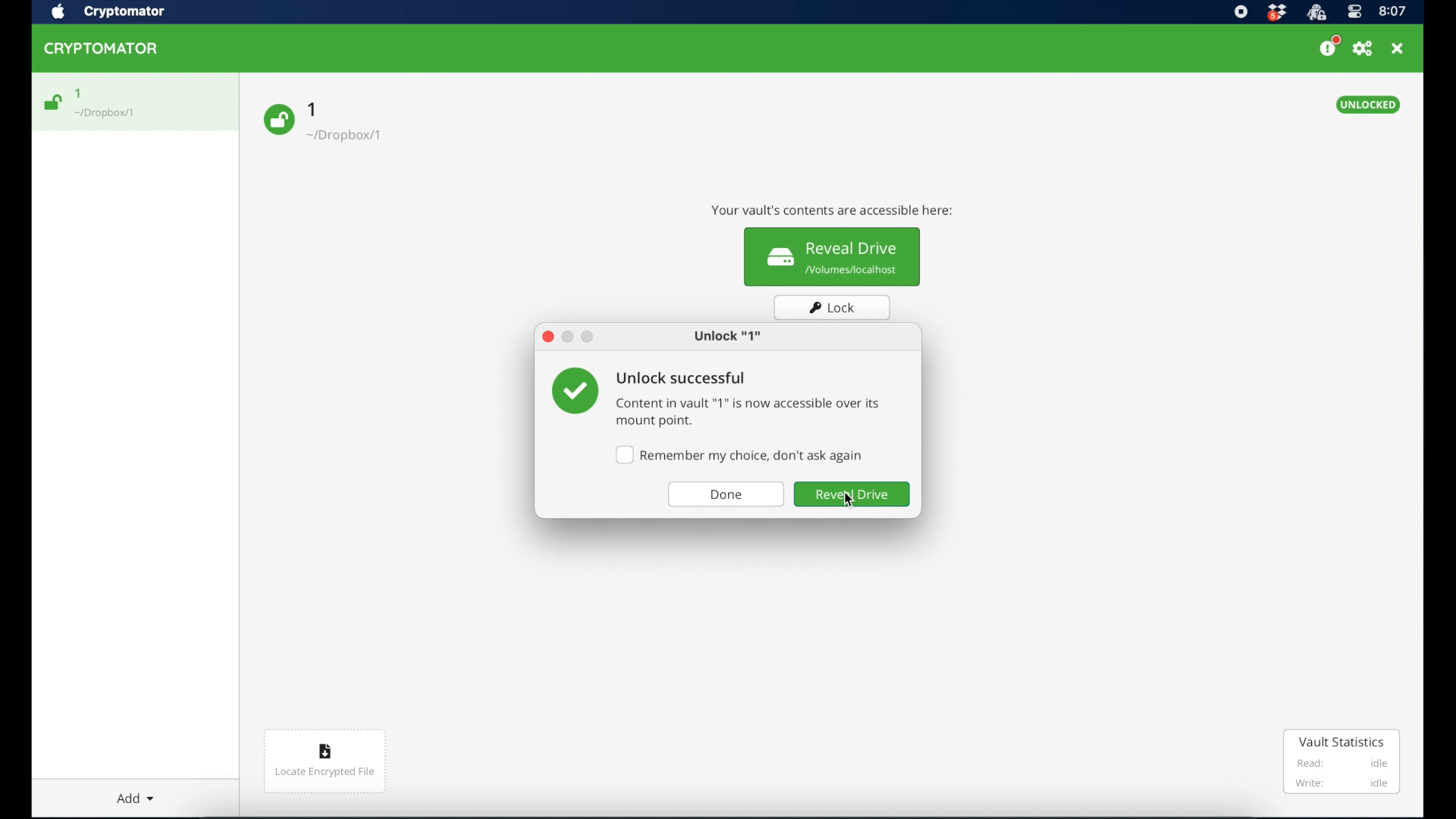 This screenshot has height=819, width=1456. Describe the element at coordinates (727, 337) in the screenshot. I see `unlock 1` at that location.